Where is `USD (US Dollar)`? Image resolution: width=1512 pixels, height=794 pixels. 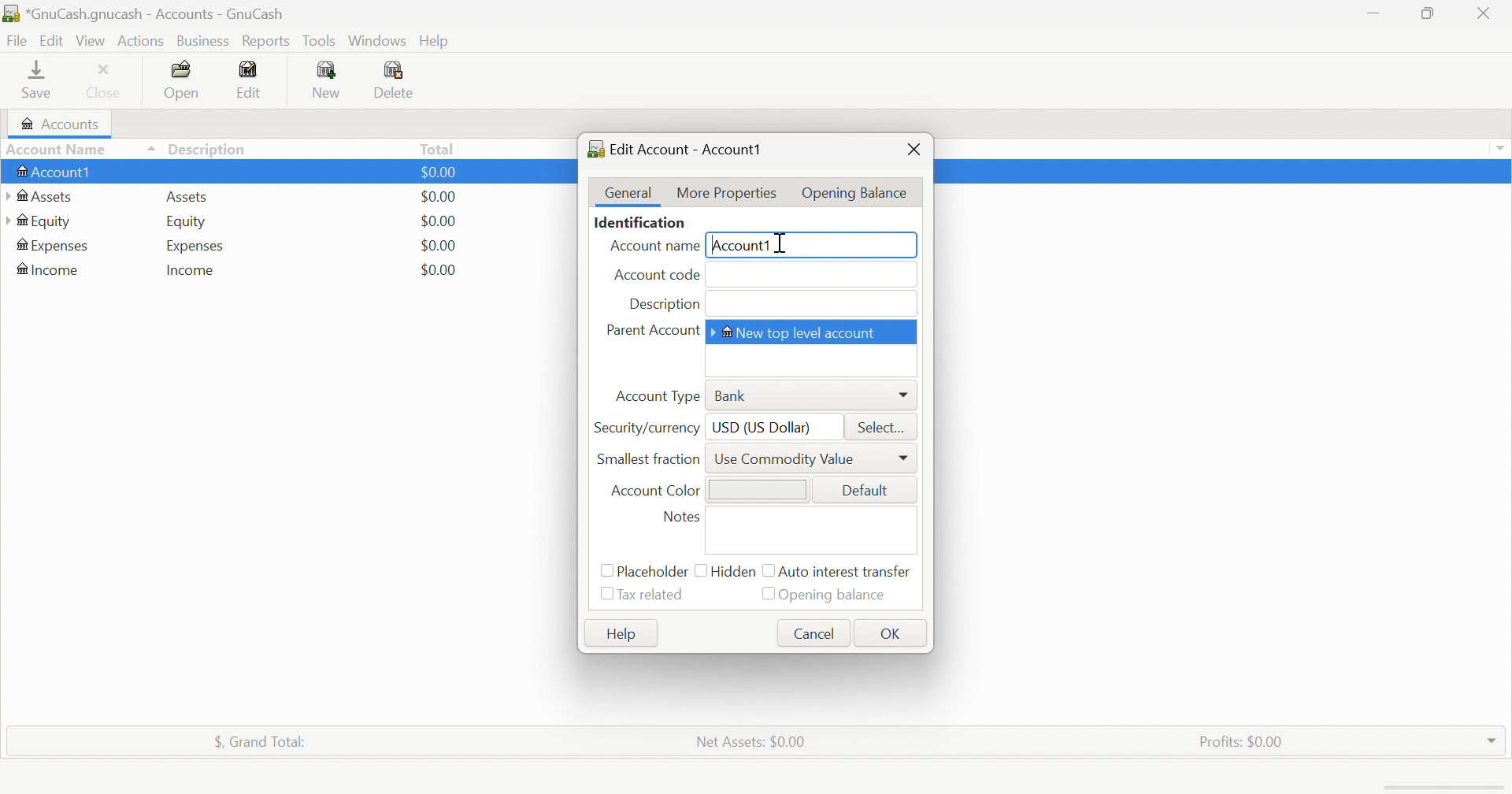 USD (US Dollar) is located at coordinates (764, 429).